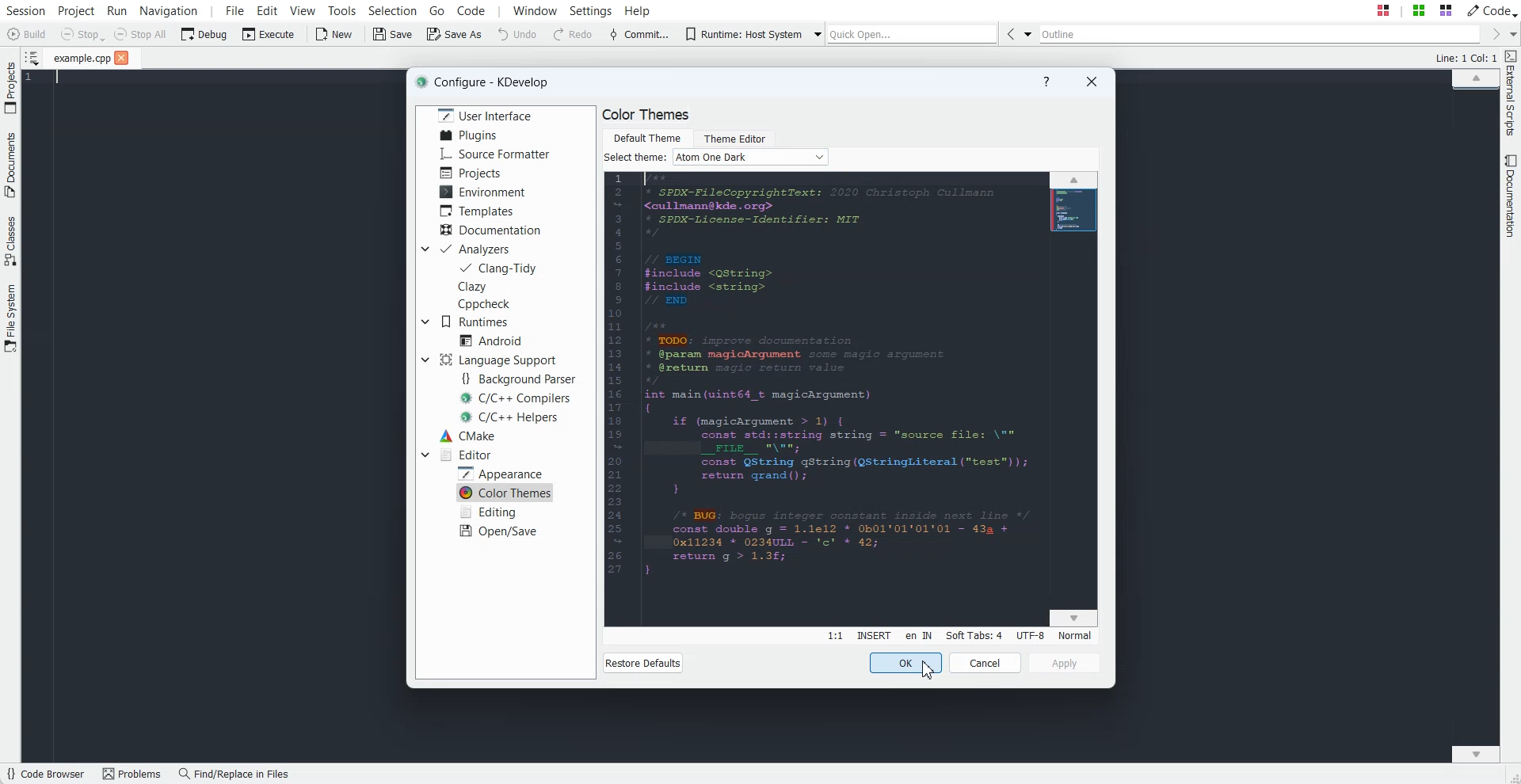  Describe the element at coordinates (646, 136) in the screenshot. I see `Default Theme` at that location.